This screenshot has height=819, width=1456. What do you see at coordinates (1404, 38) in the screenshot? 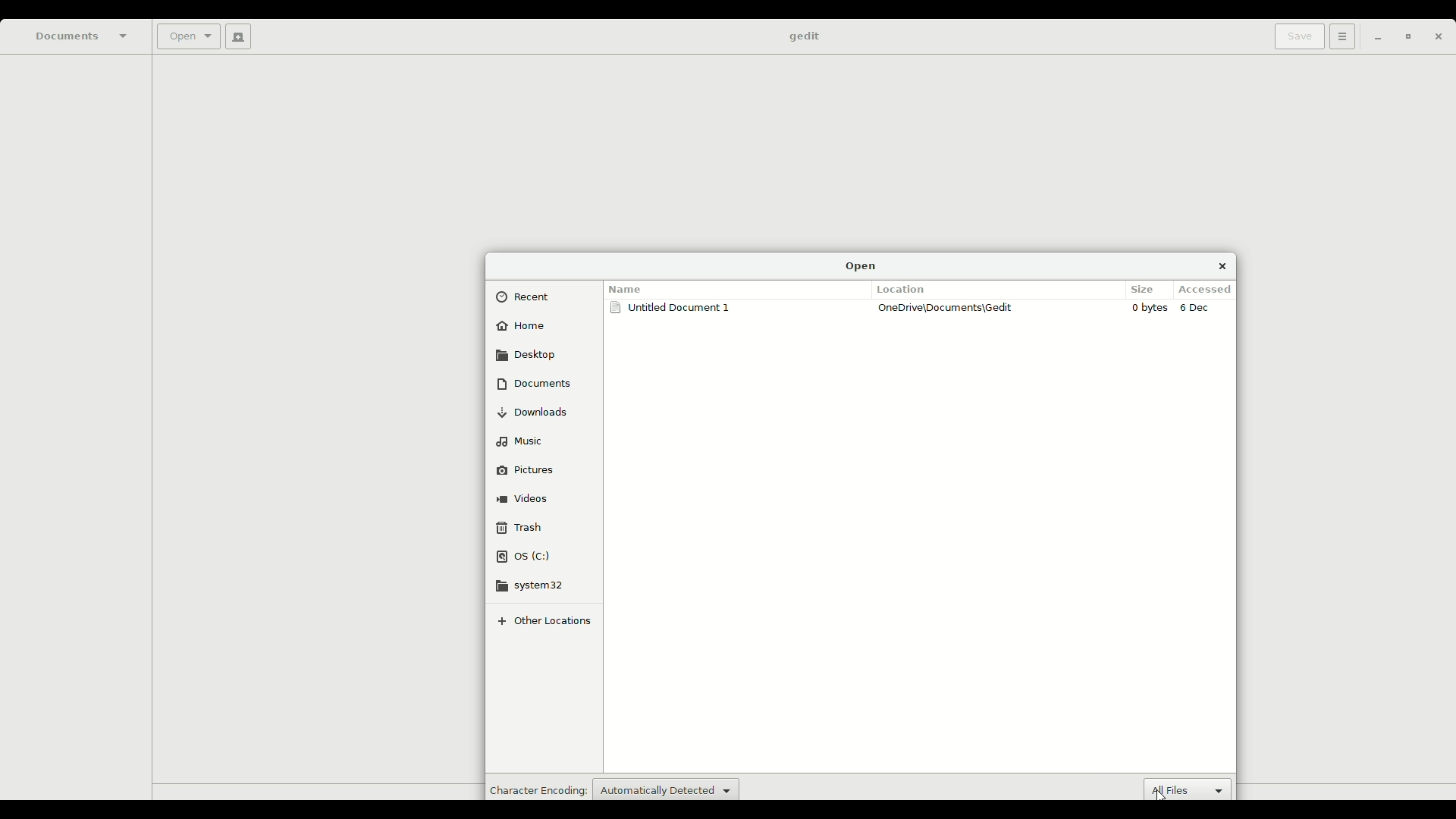
I see `Restore` at bounding box center [1404, 38].